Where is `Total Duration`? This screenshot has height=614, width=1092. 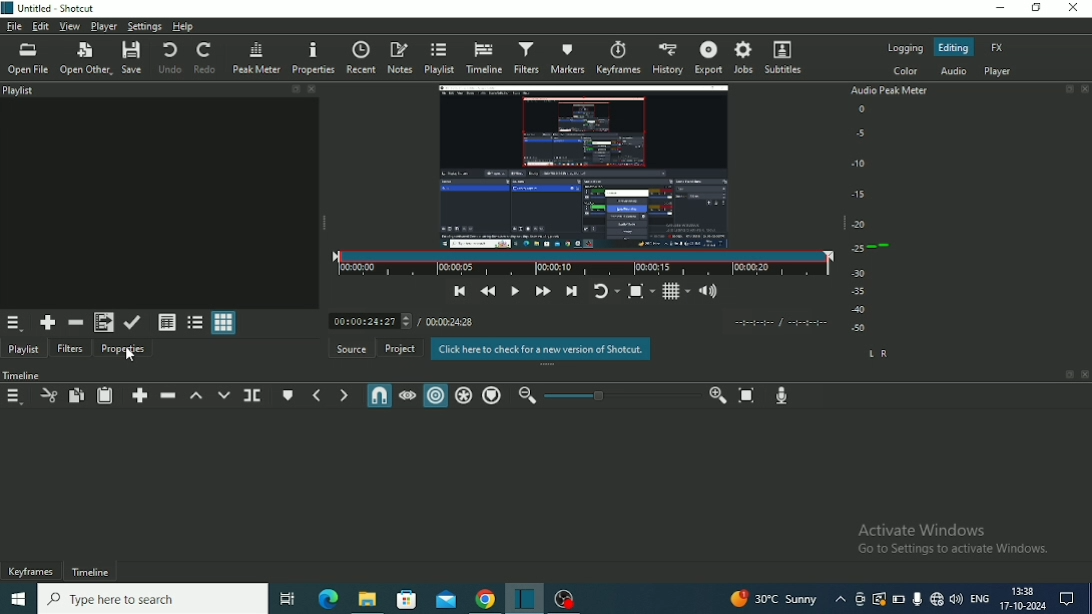 Total Duration is located at coordinates (450, 322).